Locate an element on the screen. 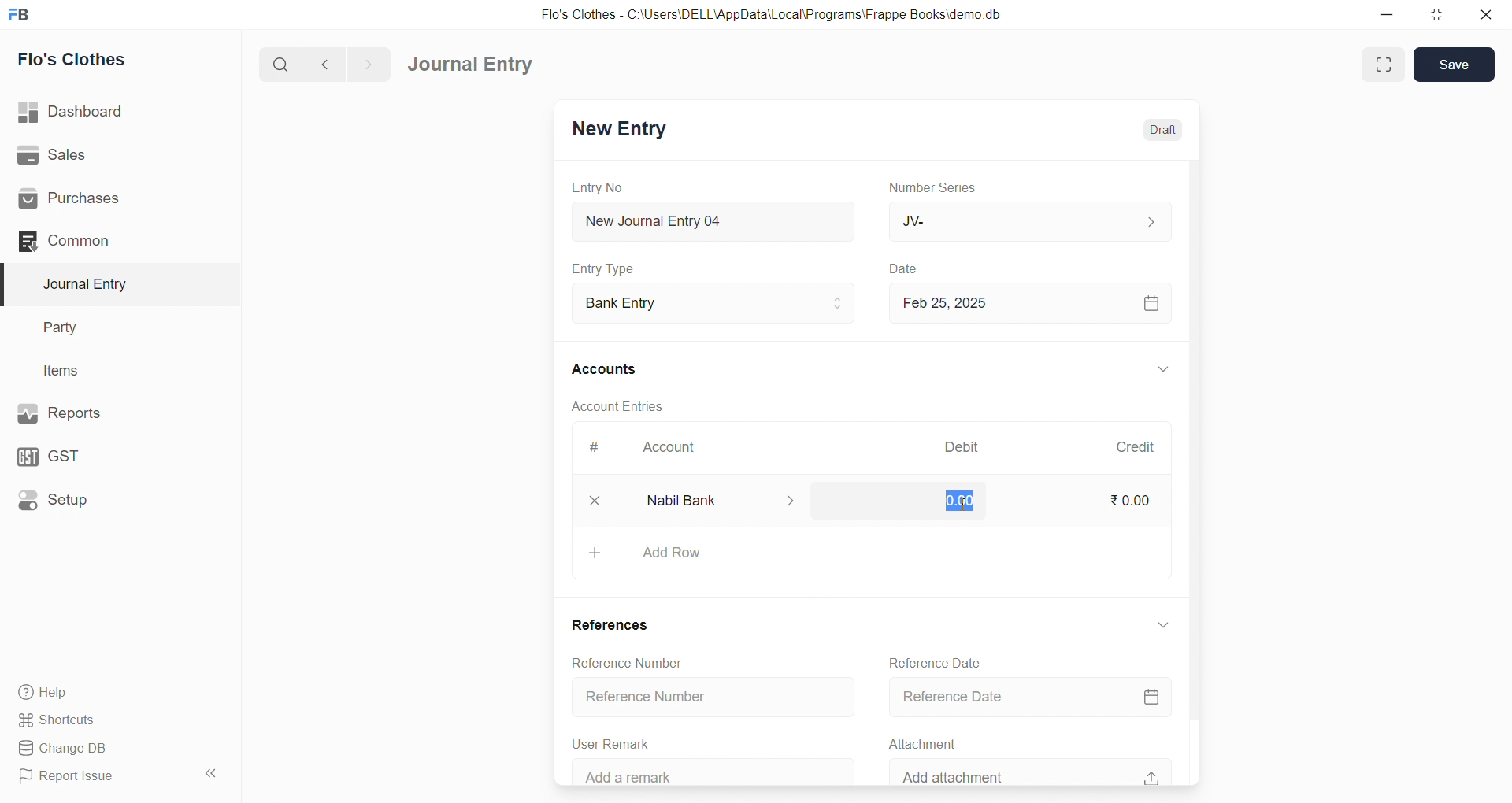  Number Series is located at coordinates (936, 187).